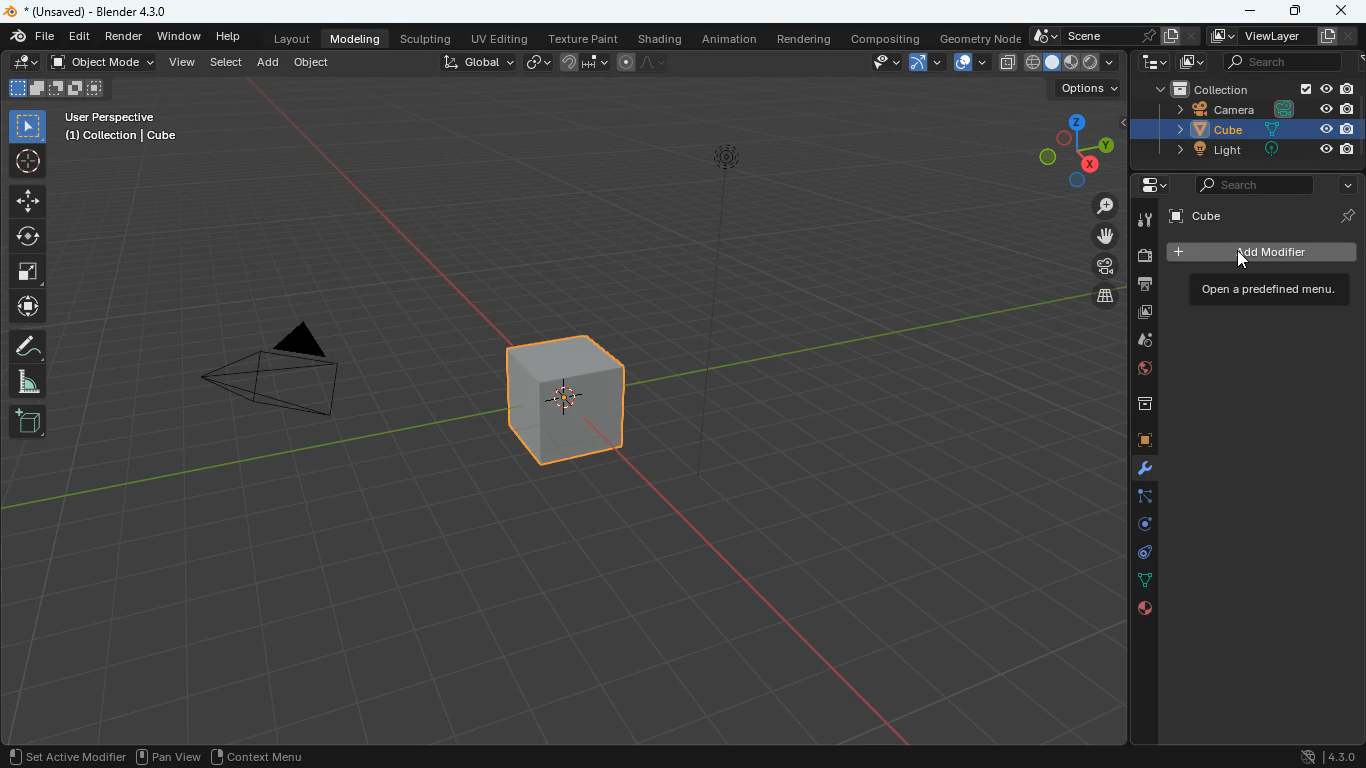 The height and width of the screenshot is (768, 1366). What do you see at coordinates (1006, 61) in the screenshot?
I see `copy` at bounding box center [1006, 61].